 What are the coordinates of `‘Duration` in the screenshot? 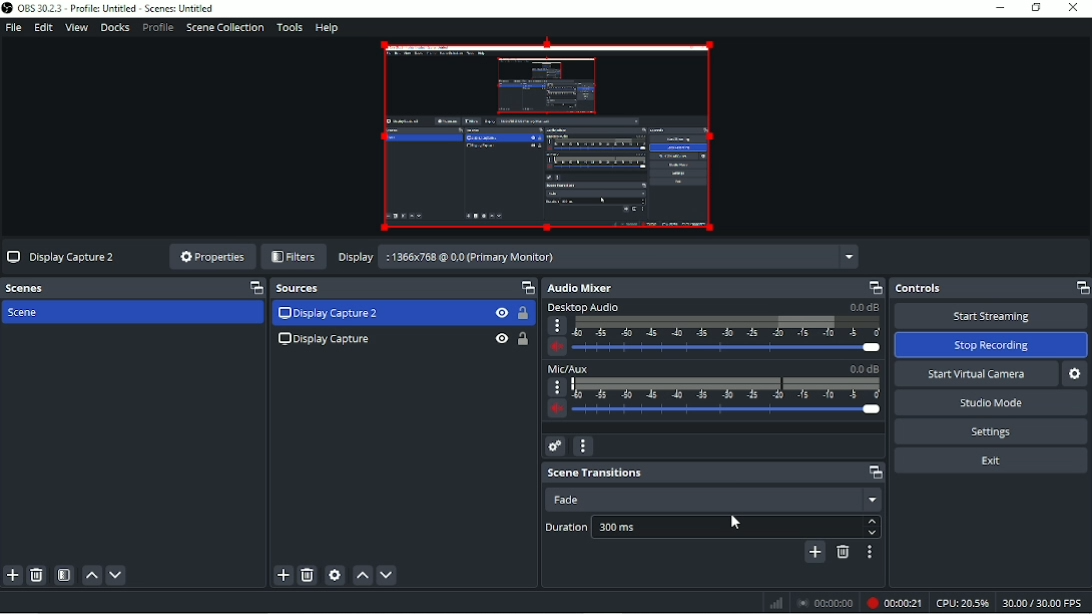 It's located at (563, 529).